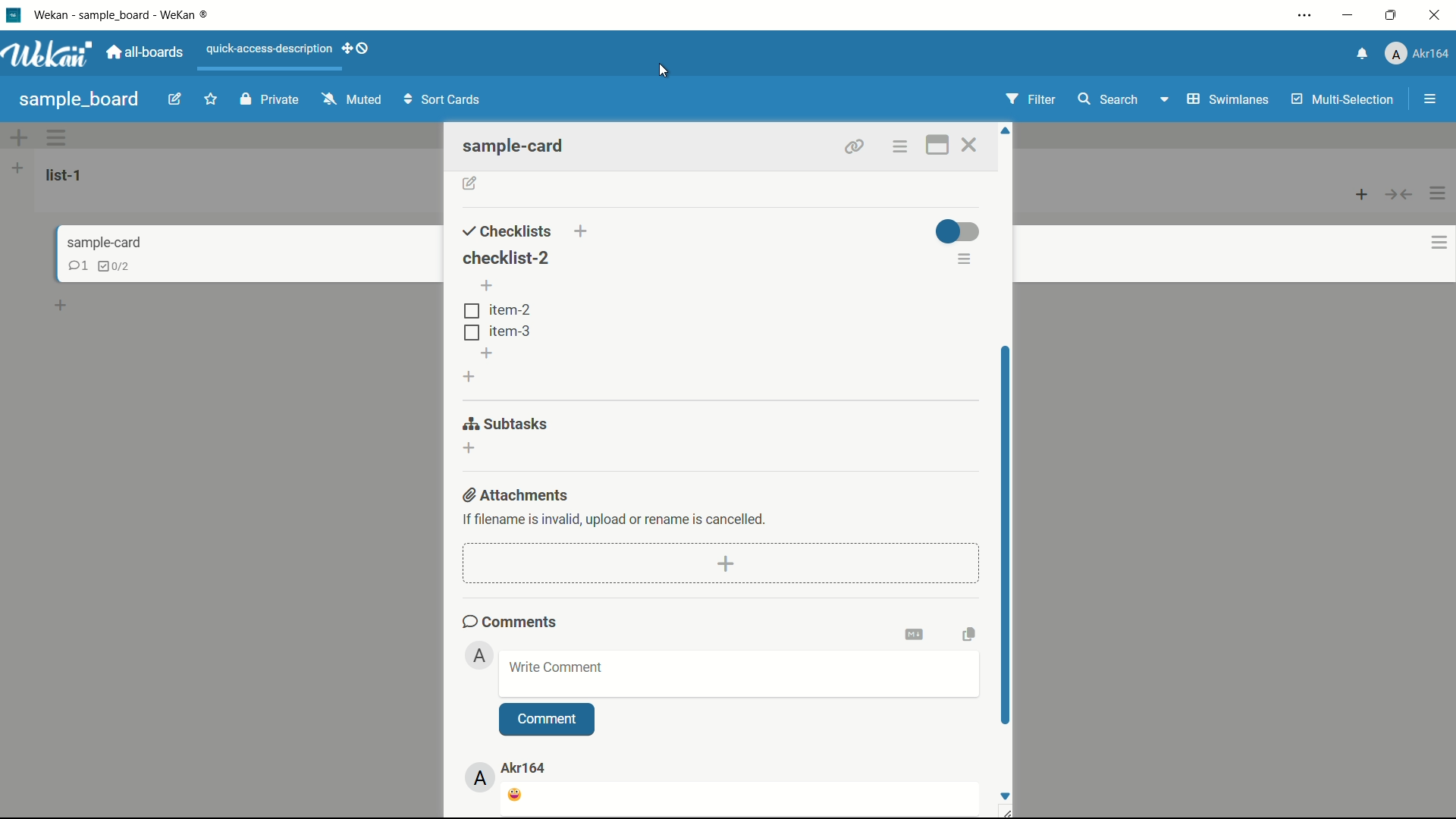  I want to click on list name, so click(67, 175).